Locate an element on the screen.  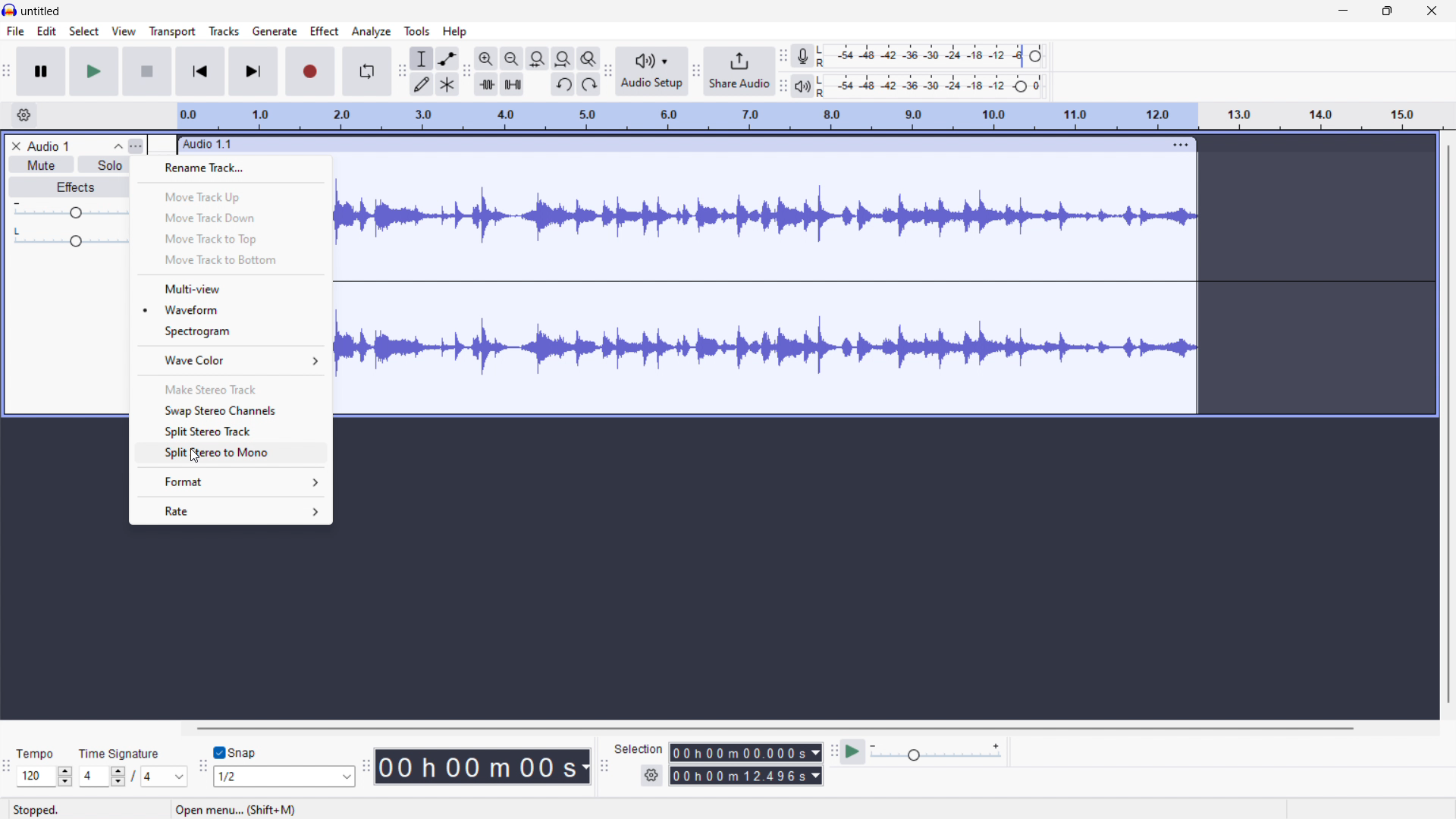
1/2 is located at coordinates (269, 777).